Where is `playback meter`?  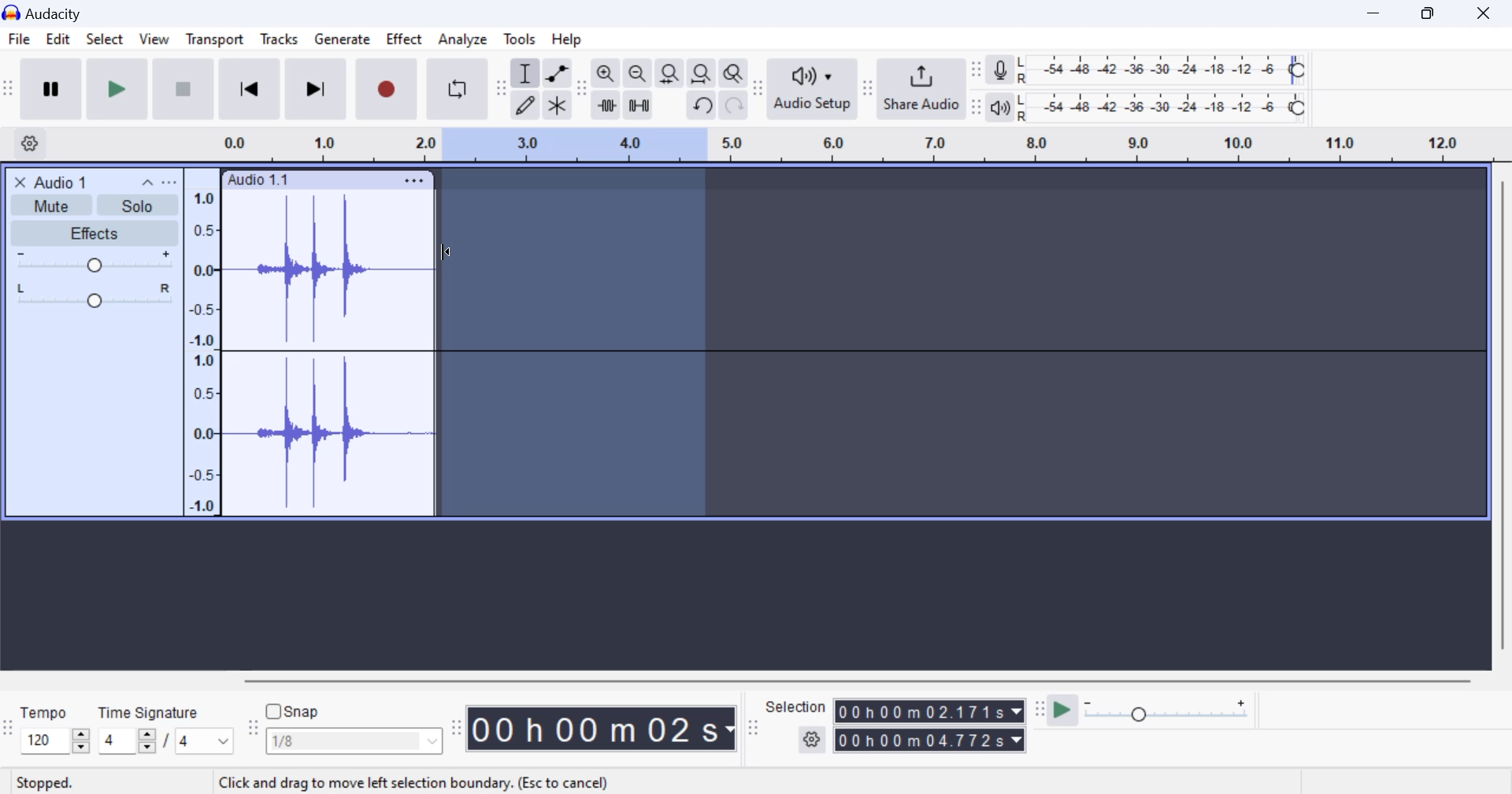
playback meter is located at coordinates (1001, 107).